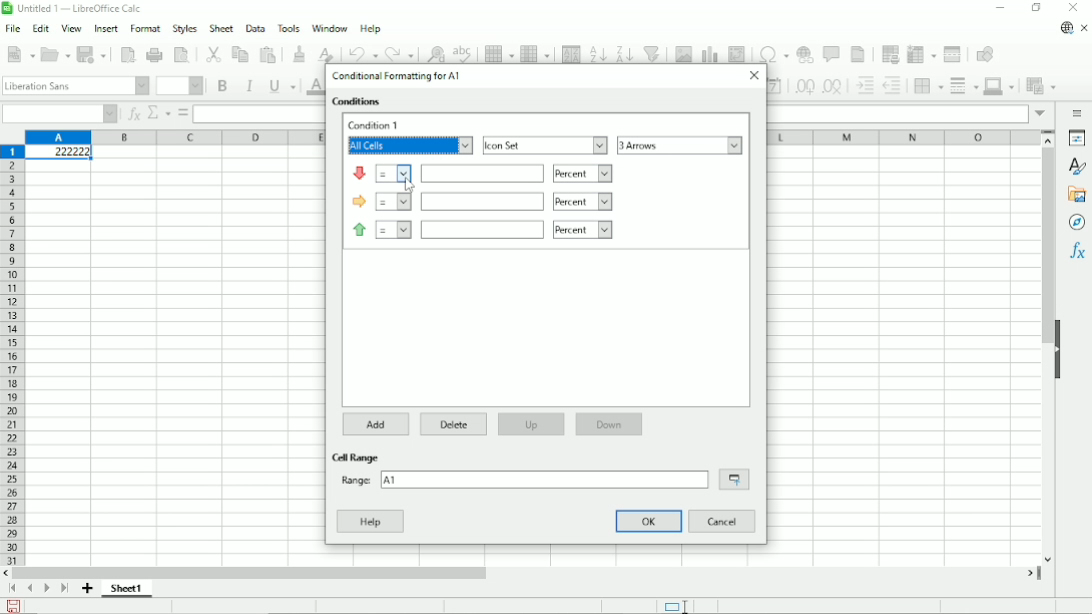  I want to click on Delete, so click(452, 423).